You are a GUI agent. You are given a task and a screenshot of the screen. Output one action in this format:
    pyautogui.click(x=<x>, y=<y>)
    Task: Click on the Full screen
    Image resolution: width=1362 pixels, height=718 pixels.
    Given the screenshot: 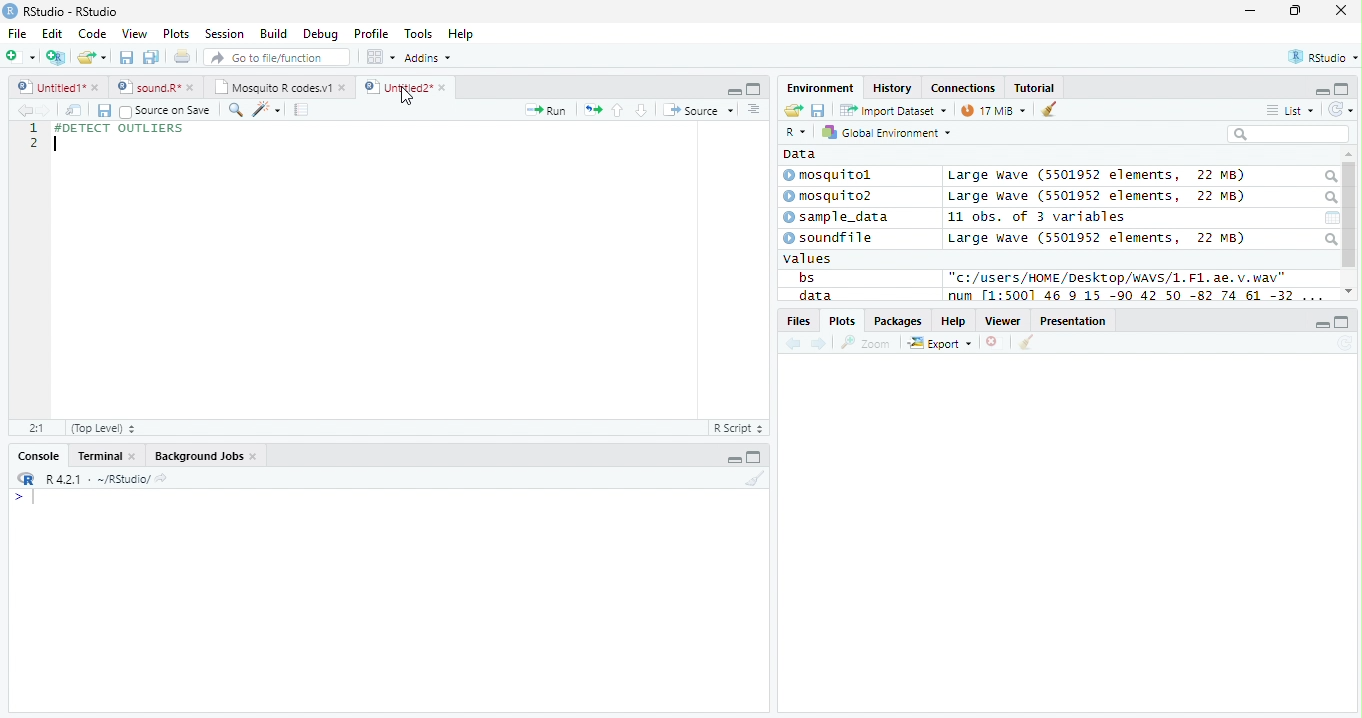 What is the action you would take?
    pyautogui.click(x=753, y=89)
    